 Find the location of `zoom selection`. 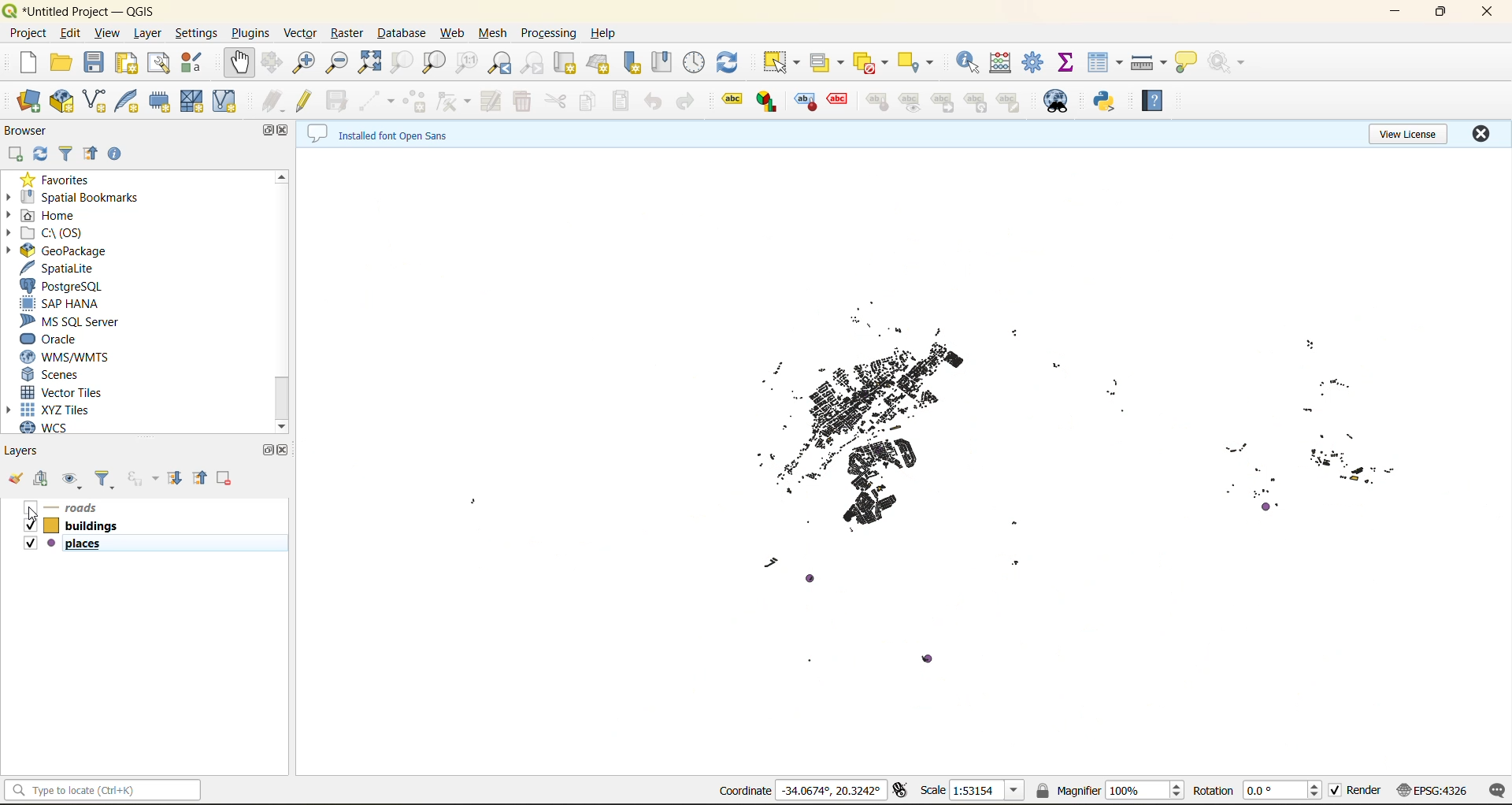

zoom selection is located at coordinates (404, 61).